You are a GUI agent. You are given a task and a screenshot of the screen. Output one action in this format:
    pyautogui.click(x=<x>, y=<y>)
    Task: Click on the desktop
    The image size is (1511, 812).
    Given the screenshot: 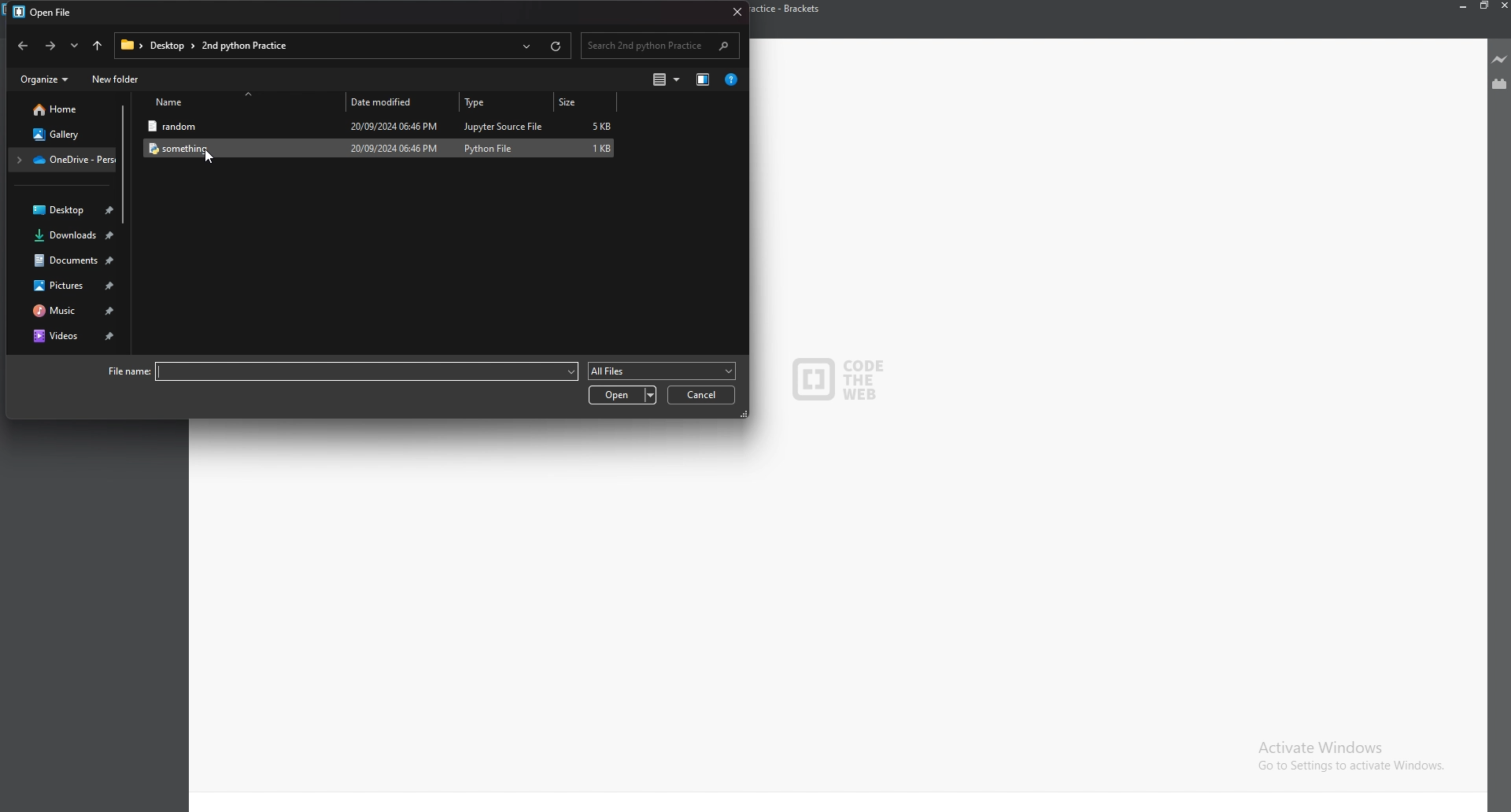 What is the action you would take?
    pyautogui.click(x=169, y=46)
    